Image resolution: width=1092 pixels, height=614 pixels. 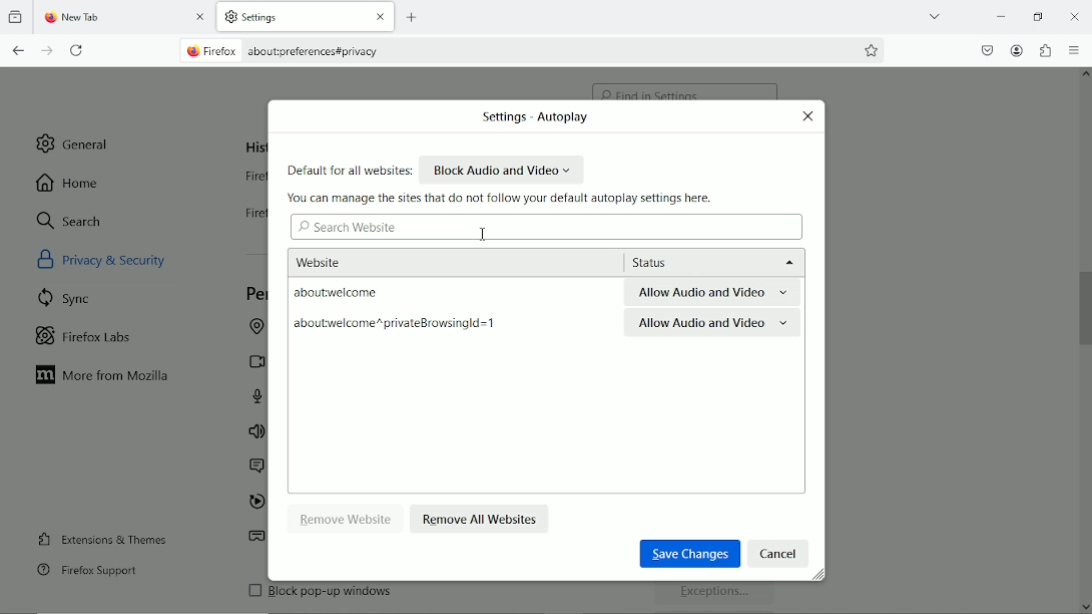 I want to click on remove all websites, so click(x=481, y=517).